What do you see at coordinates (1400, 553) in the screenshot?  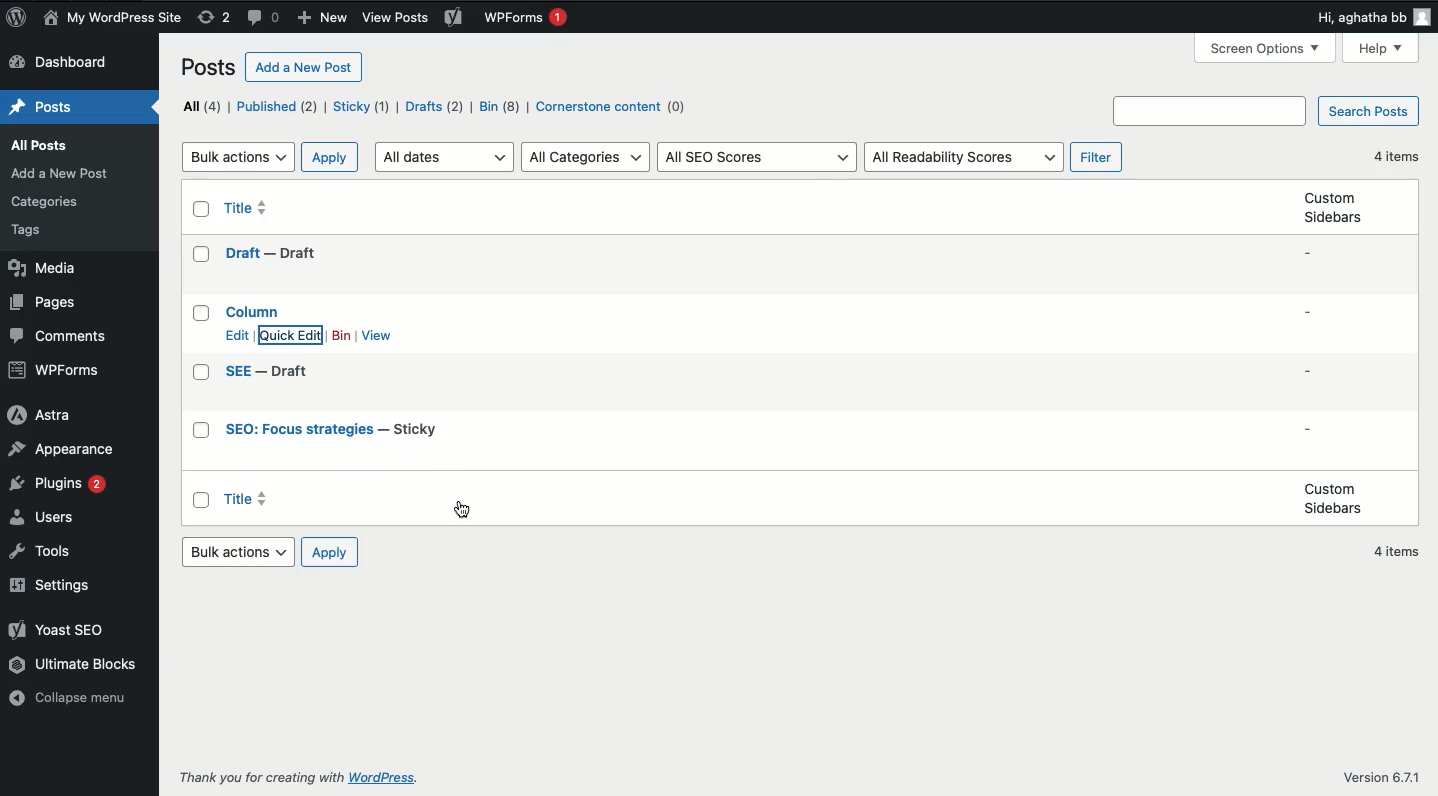 I see `4 times` at bounding box center [1400, 553].